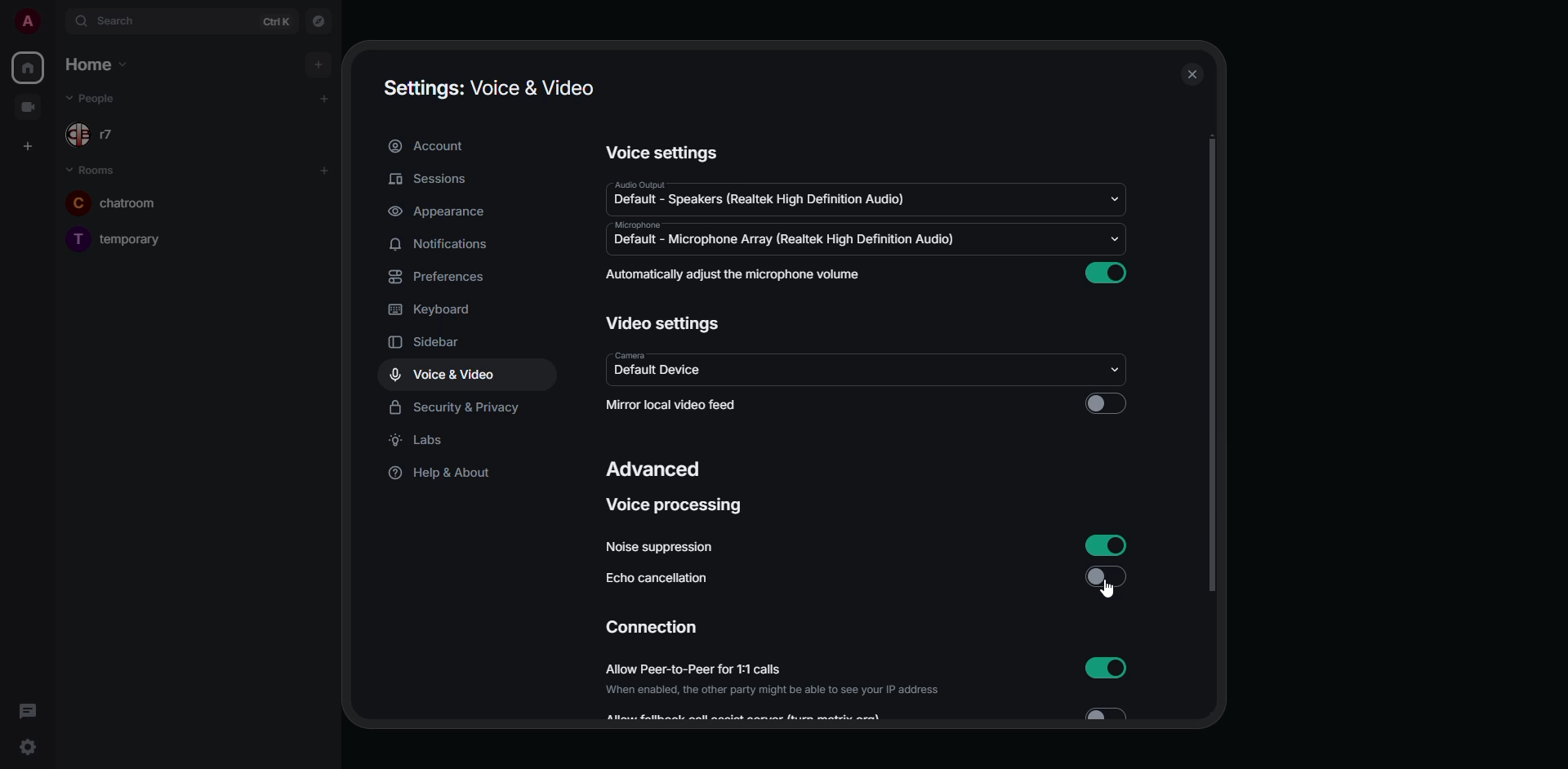  What do you see at coordinates (1118, 371) in the screenshot?
I see `drop down` at bounding box center [1118, 371].